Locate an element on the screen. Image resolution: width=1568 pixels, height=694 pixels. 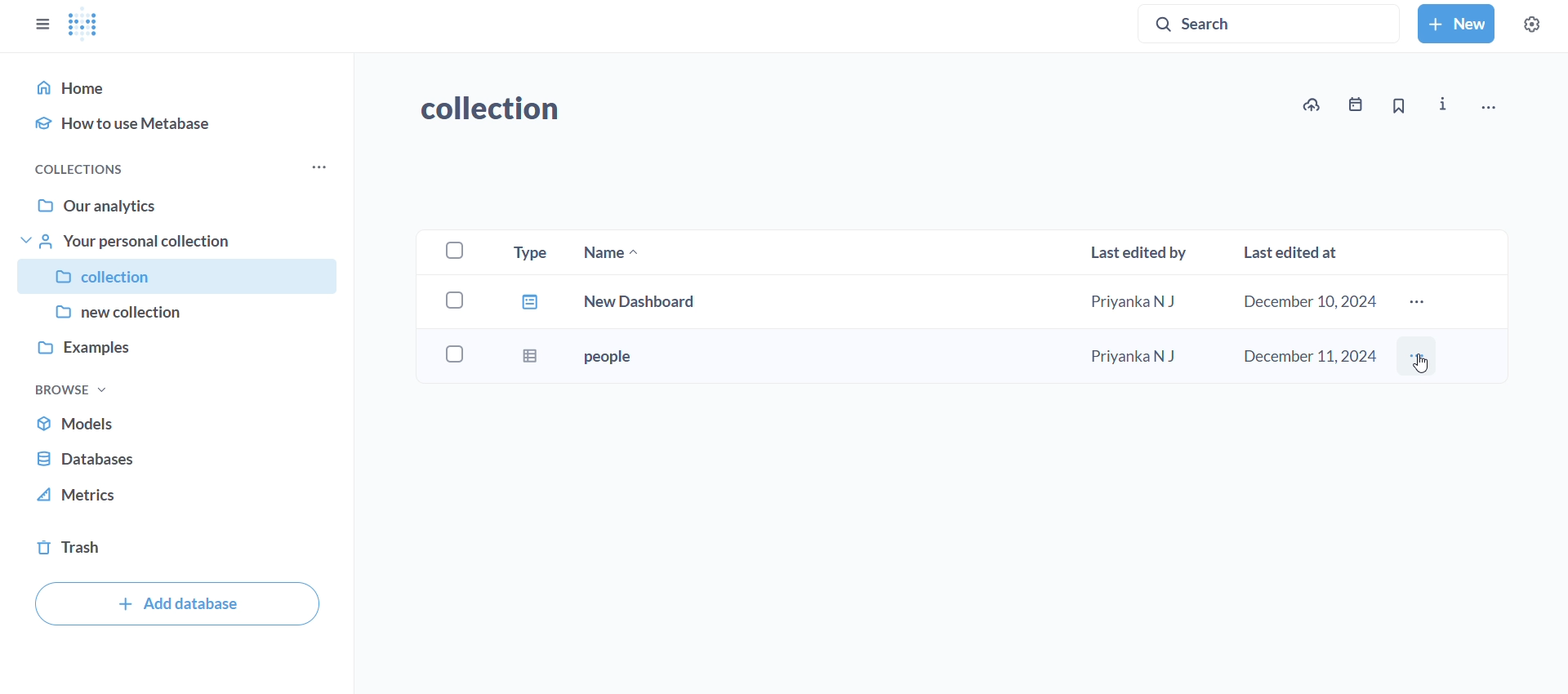
file is located at coordinates (519, 299).